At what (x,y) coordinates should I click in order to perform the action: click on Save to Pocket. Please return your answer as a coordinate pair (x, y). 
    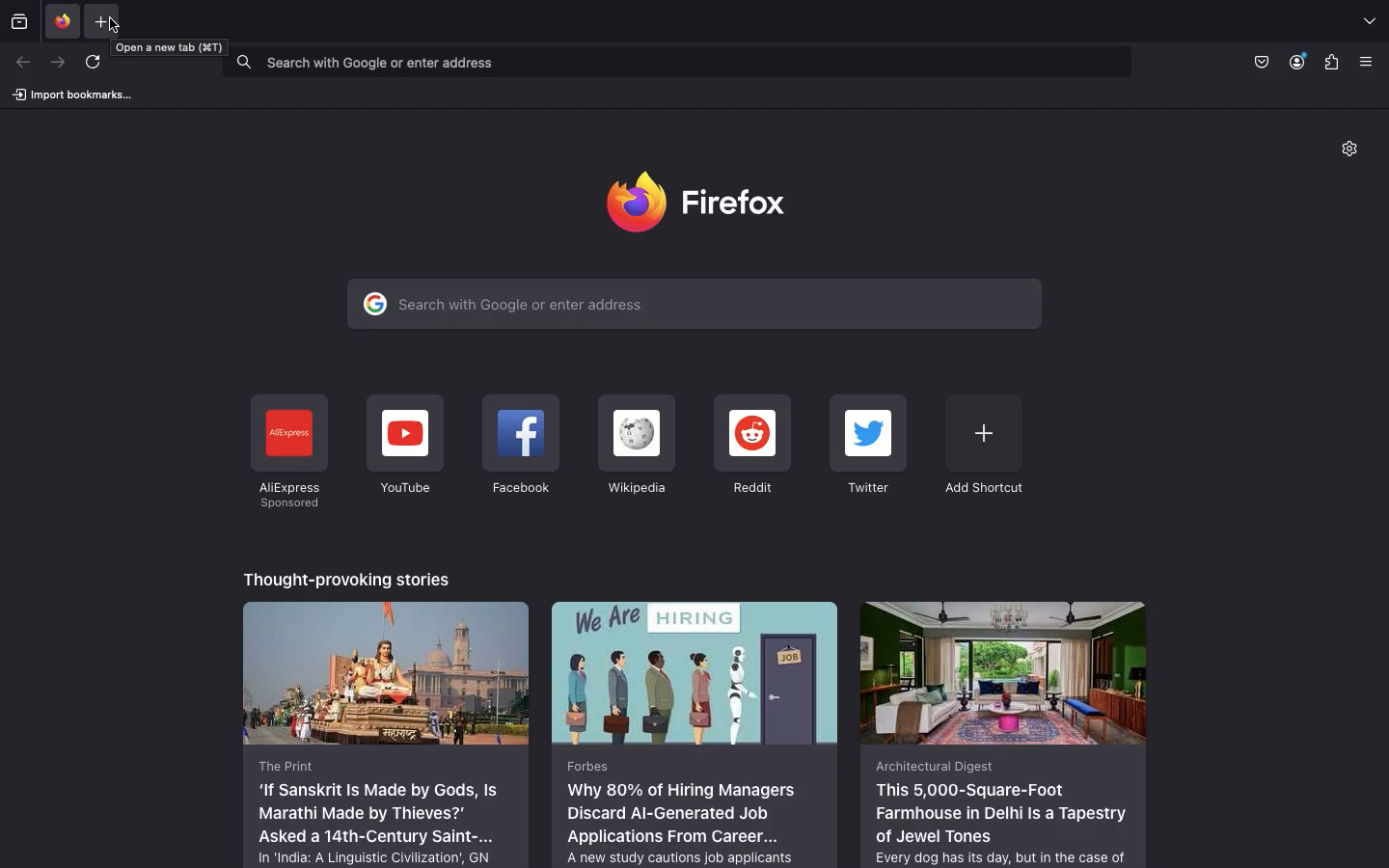
    Looking at the image, I should click on (1260, 61).